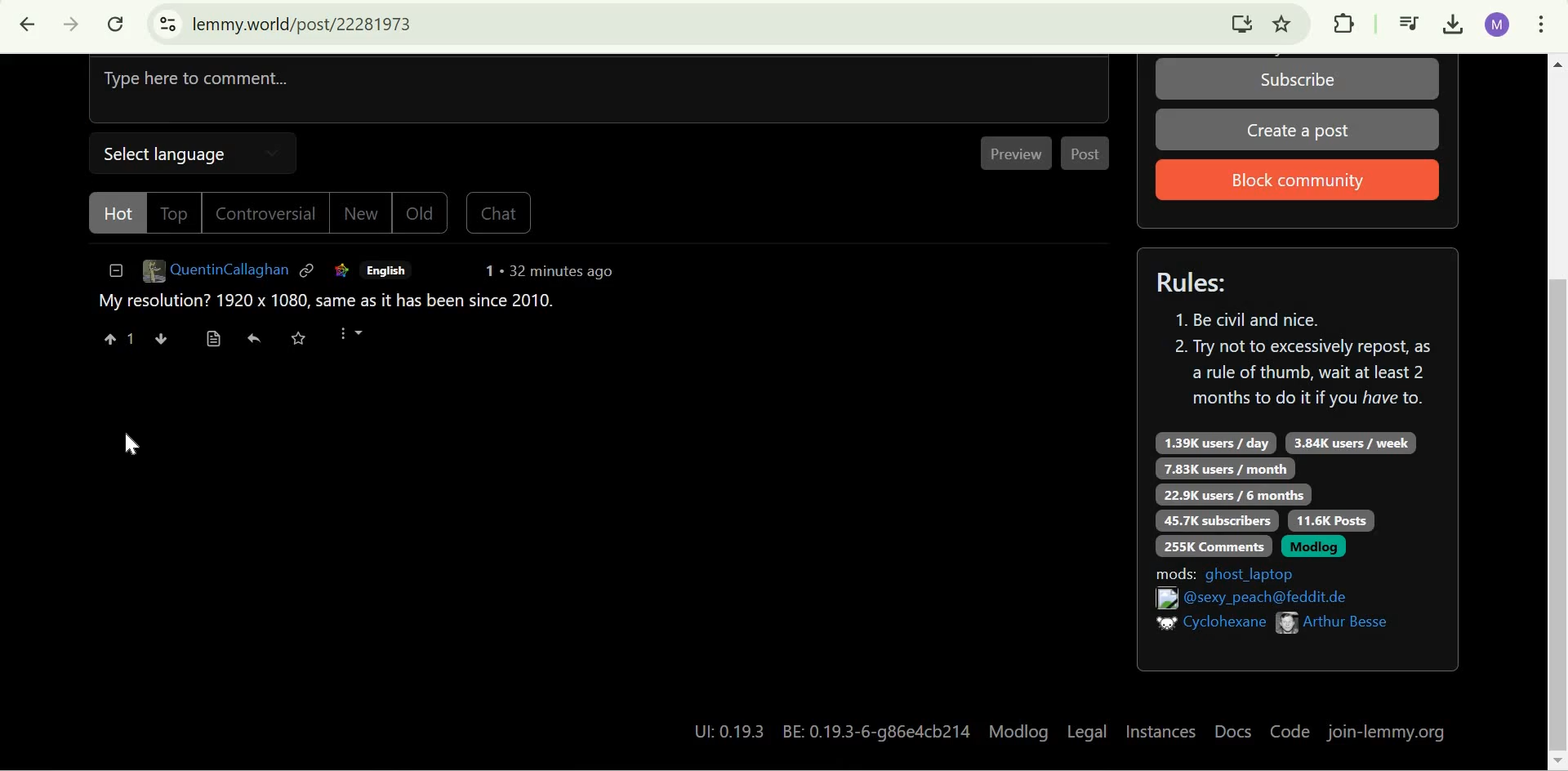 The image size is (1568, 771). Describe the element at coordinates (1349, 443) in the screenshot. I see `3.84K users/week` at that location.